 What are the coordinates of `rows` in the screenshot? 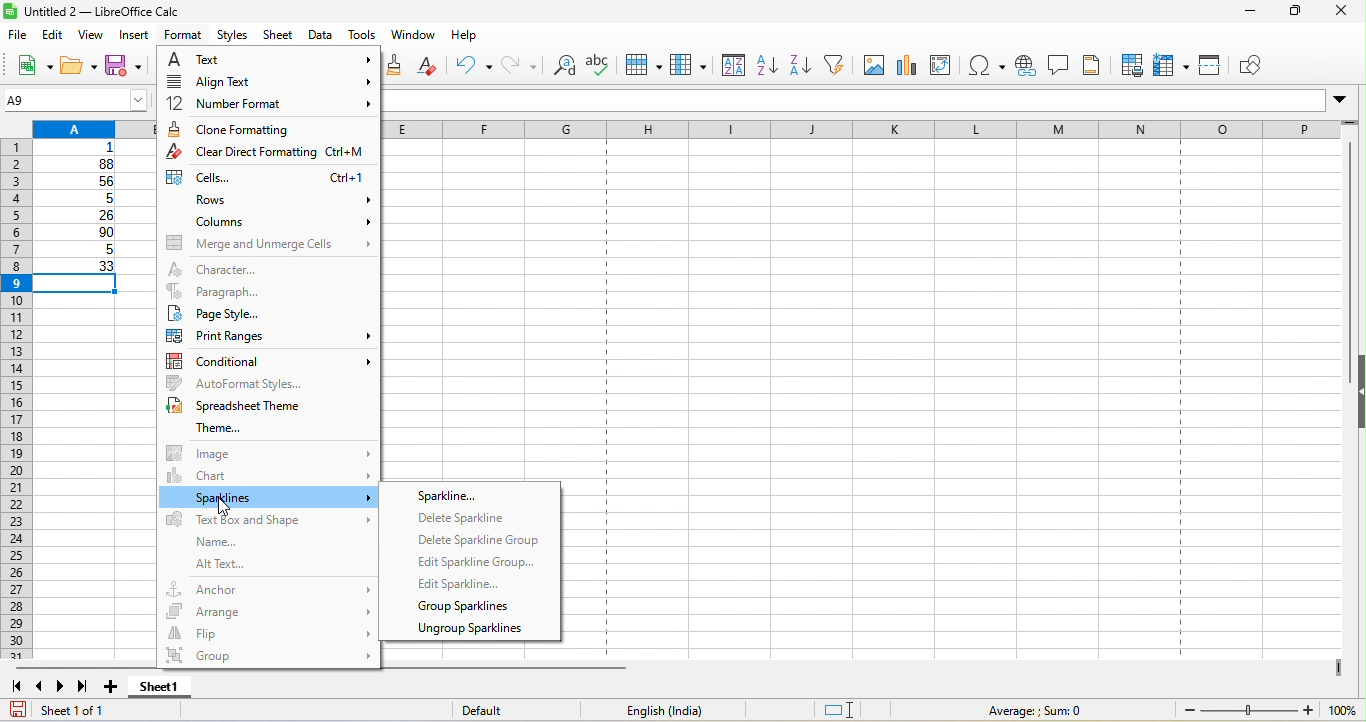 It's located at (269, 201).